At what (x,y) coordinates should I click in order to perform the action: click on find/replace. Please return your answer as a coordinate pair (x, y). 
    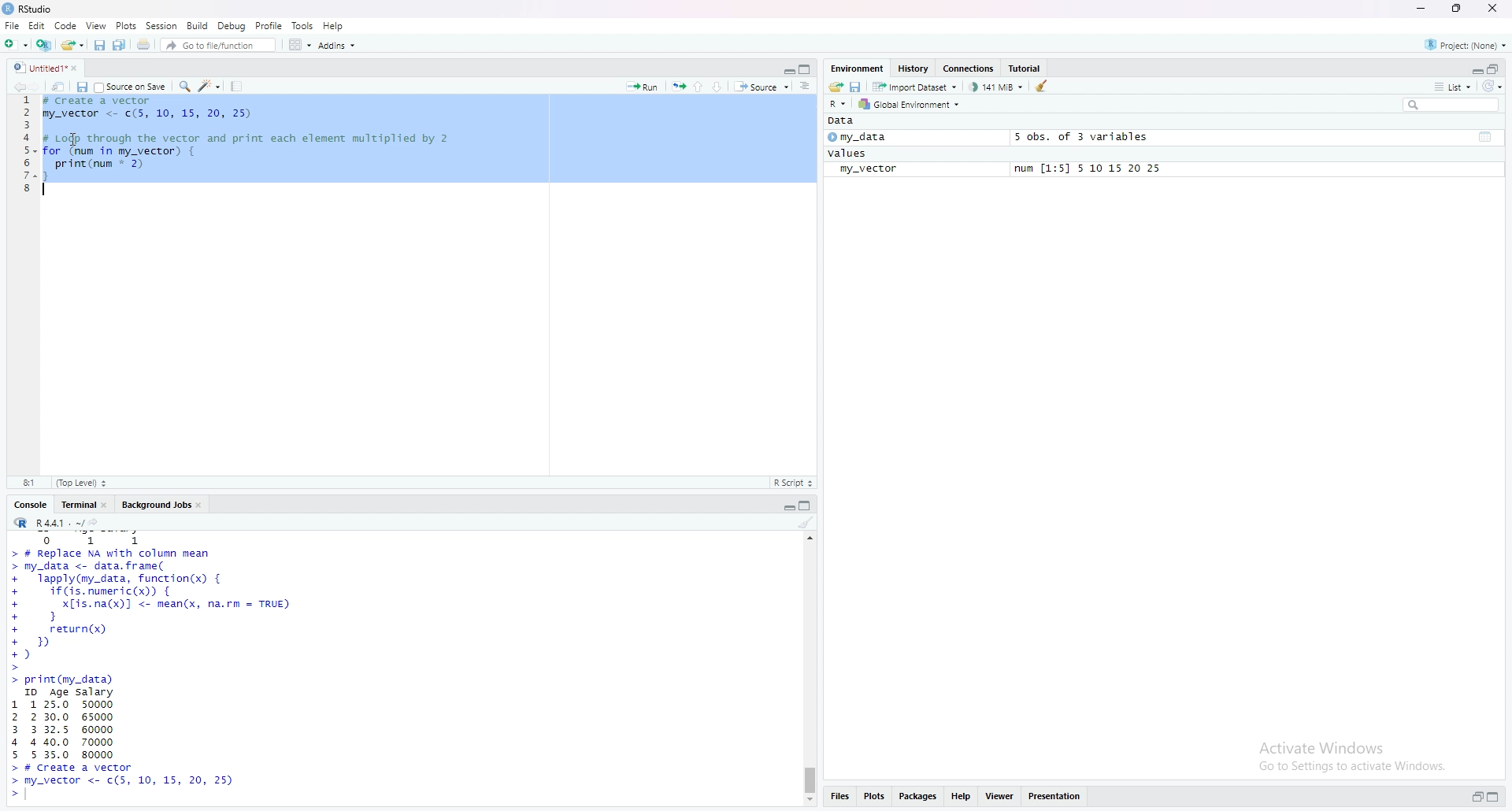
    Looking at the image, I should click on (186, 87).